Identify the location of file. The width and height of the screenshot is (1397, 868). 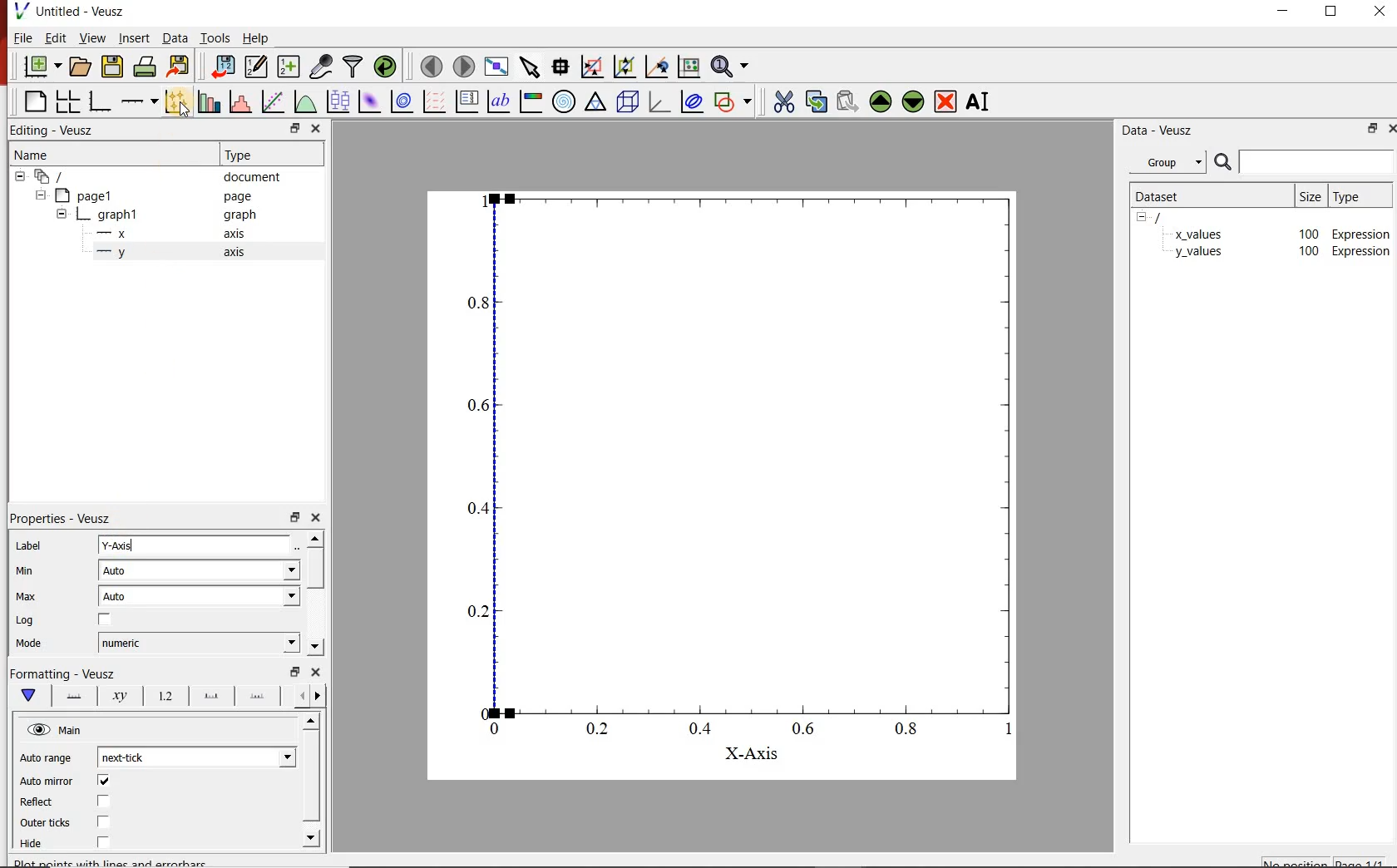
(24, 37).